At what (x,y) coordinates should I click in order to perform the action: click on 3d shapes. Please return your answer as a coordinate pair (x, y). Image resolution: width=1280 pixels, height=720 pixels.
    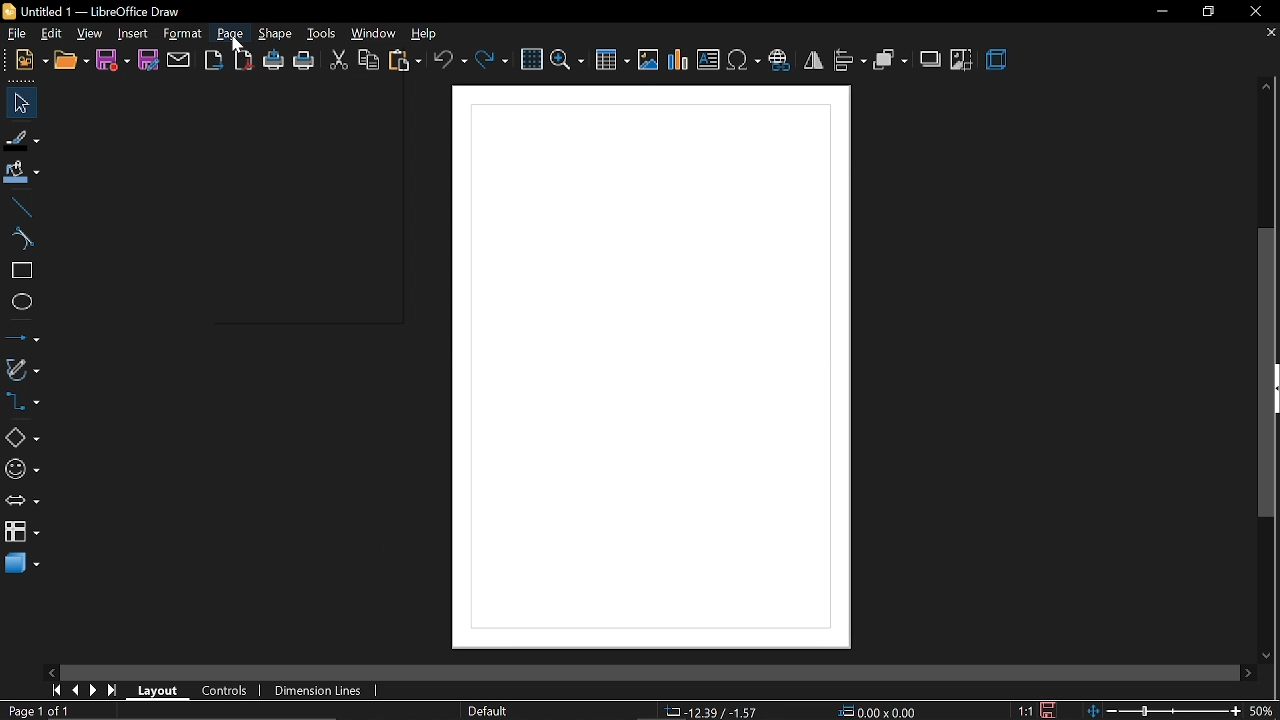
    Looking at the image, I should click on (23, 566).